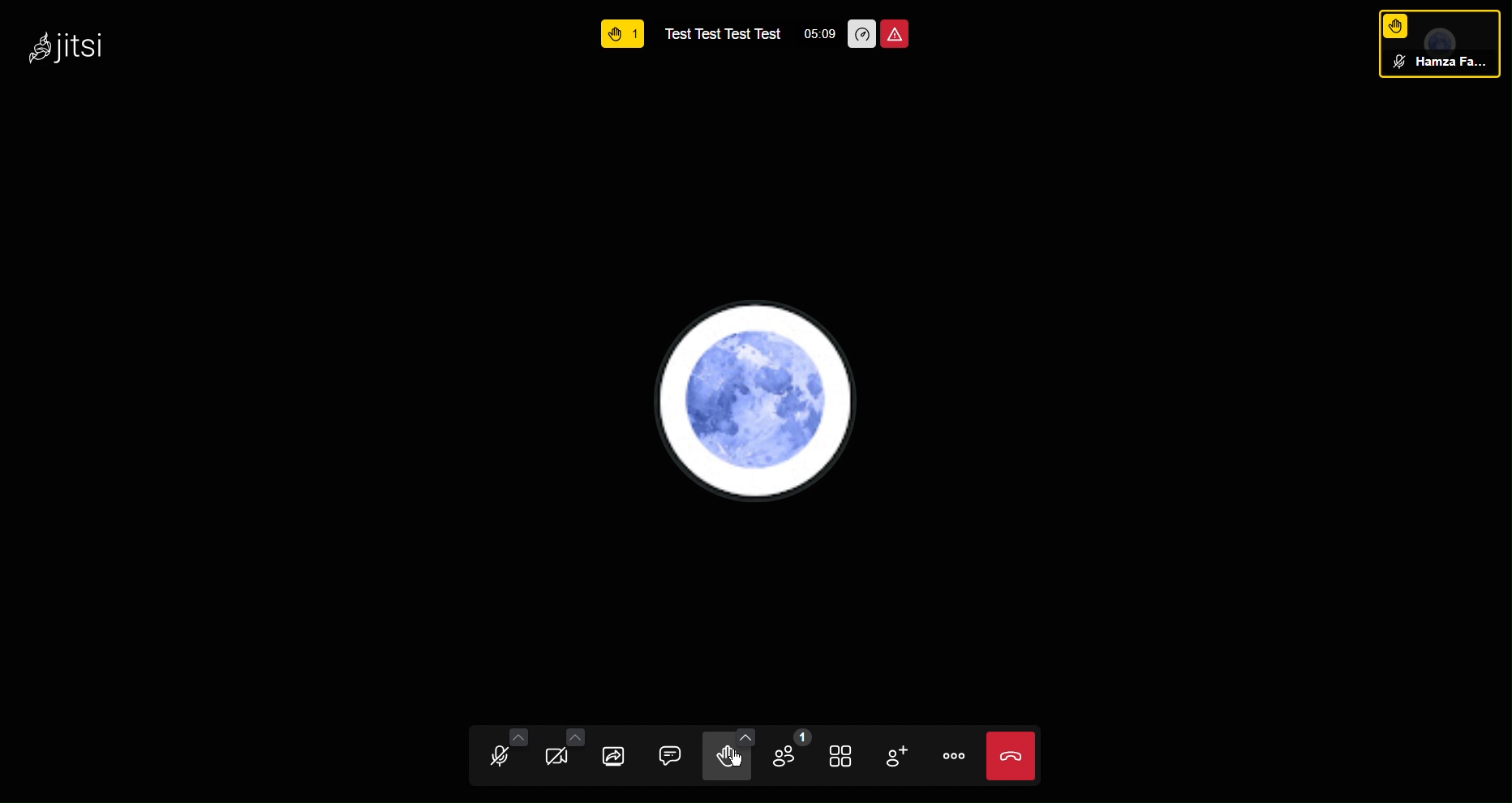  I want to click on cursor, so click(736, 754).